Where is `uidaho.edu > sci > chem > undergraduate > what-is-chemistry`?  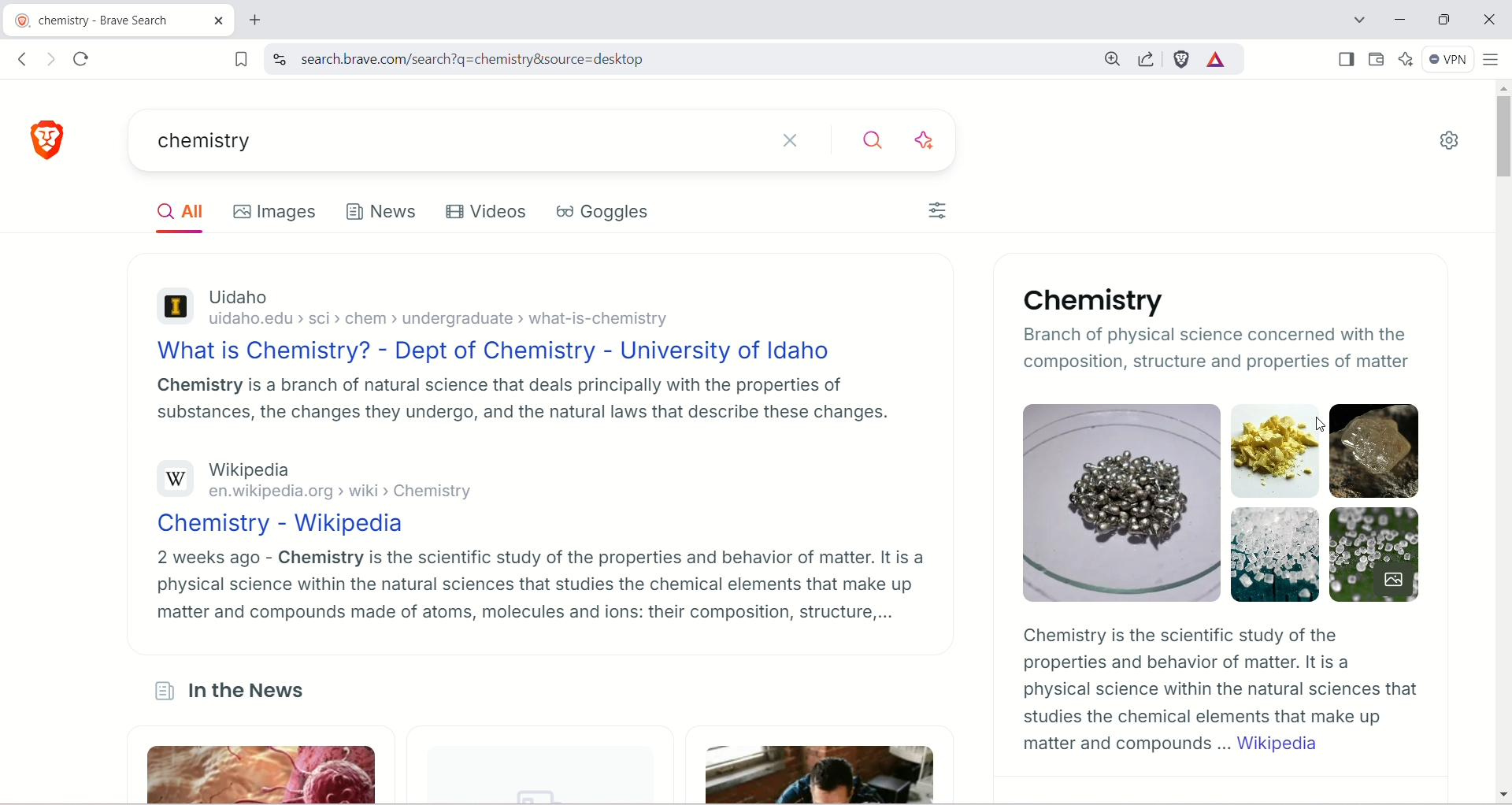 uidaho.edu > sci > chem > undergraduate > what-is-chemistry is located at coordinates (456, 318).